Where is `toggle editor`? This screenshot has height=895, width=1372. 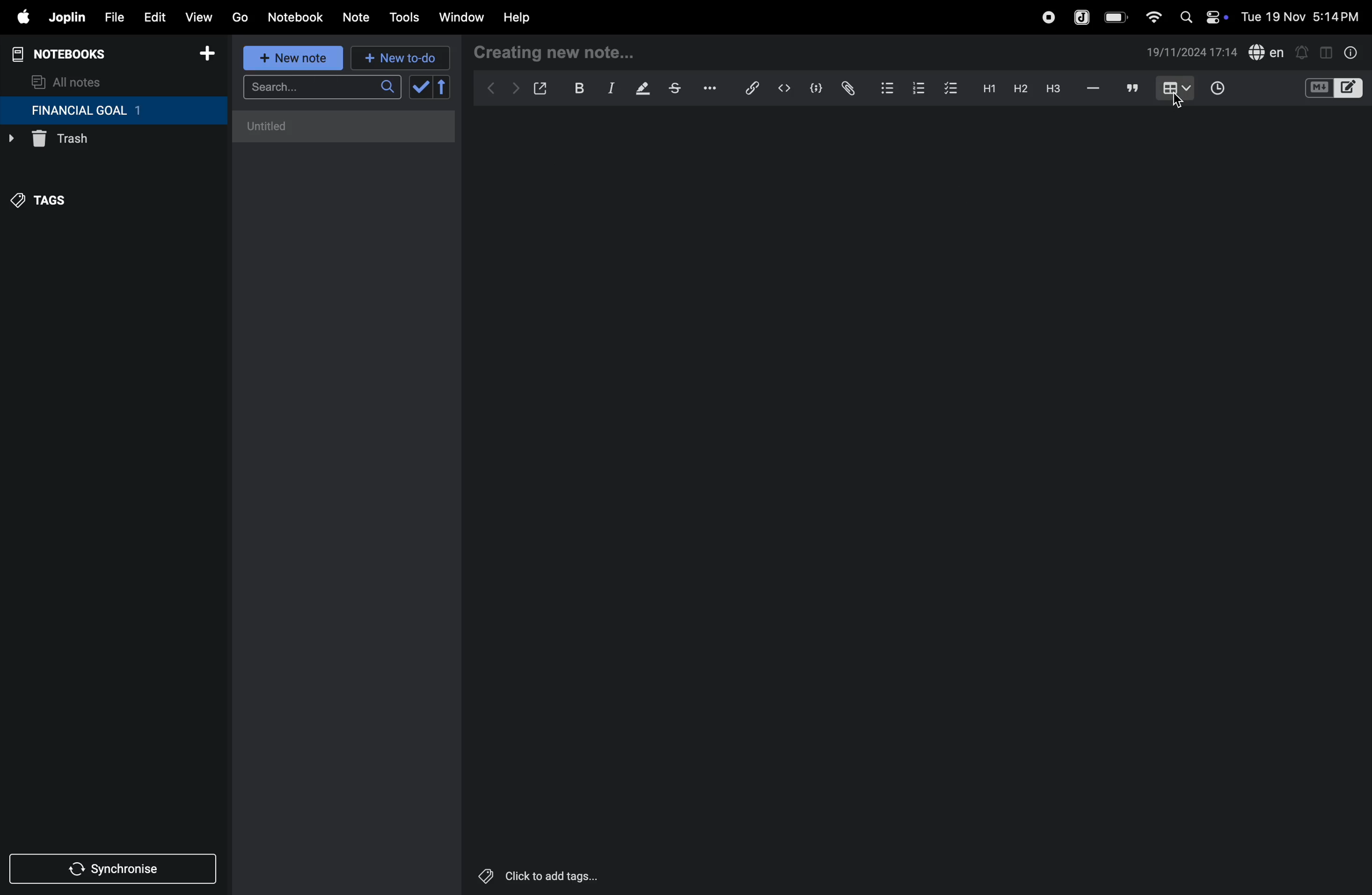 toggle editor is located at coordinates (1326, 51).